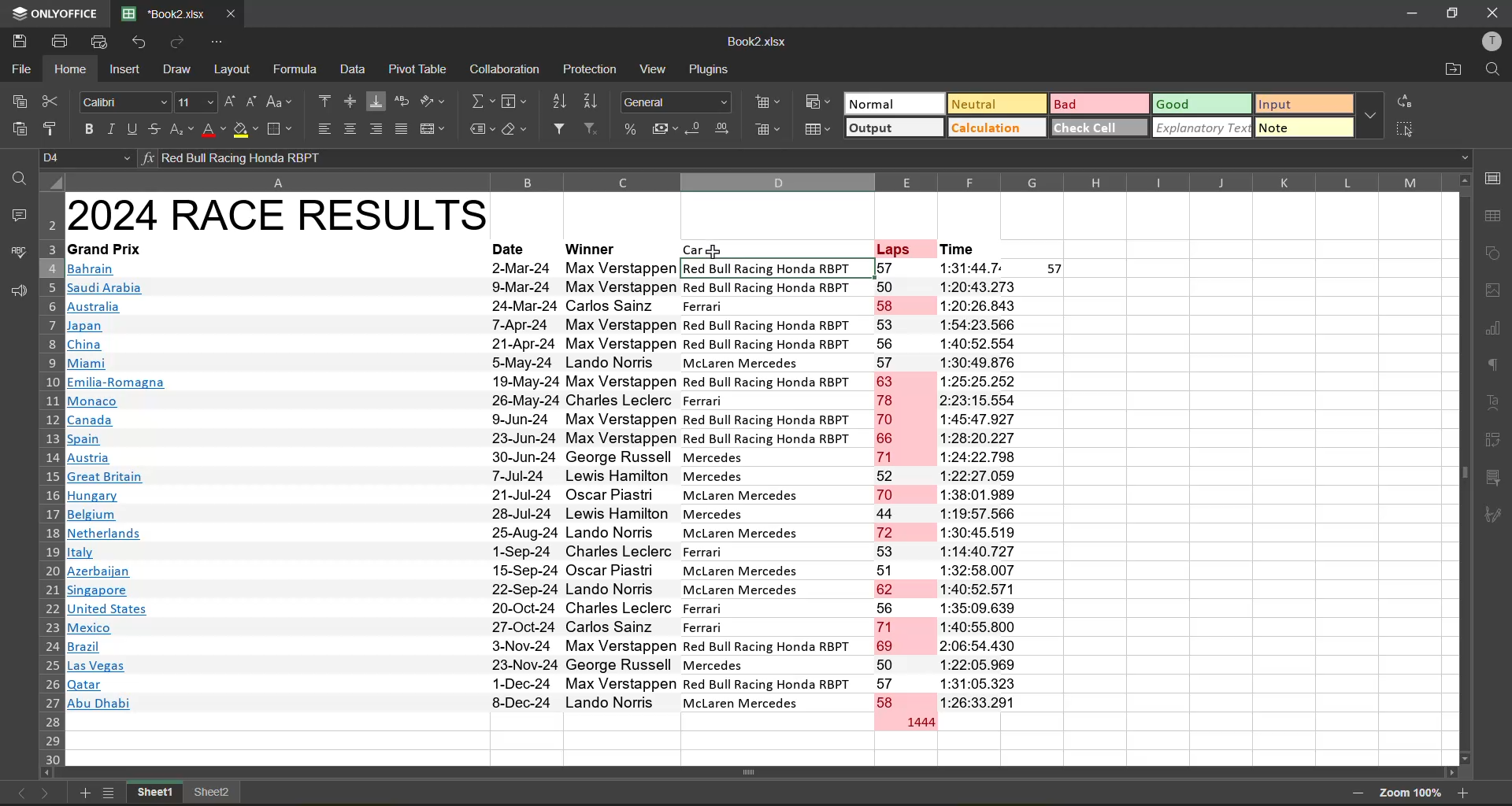 The height and width of the screenshot is (806, 1512). I want to click on images, so click(1494, 290).